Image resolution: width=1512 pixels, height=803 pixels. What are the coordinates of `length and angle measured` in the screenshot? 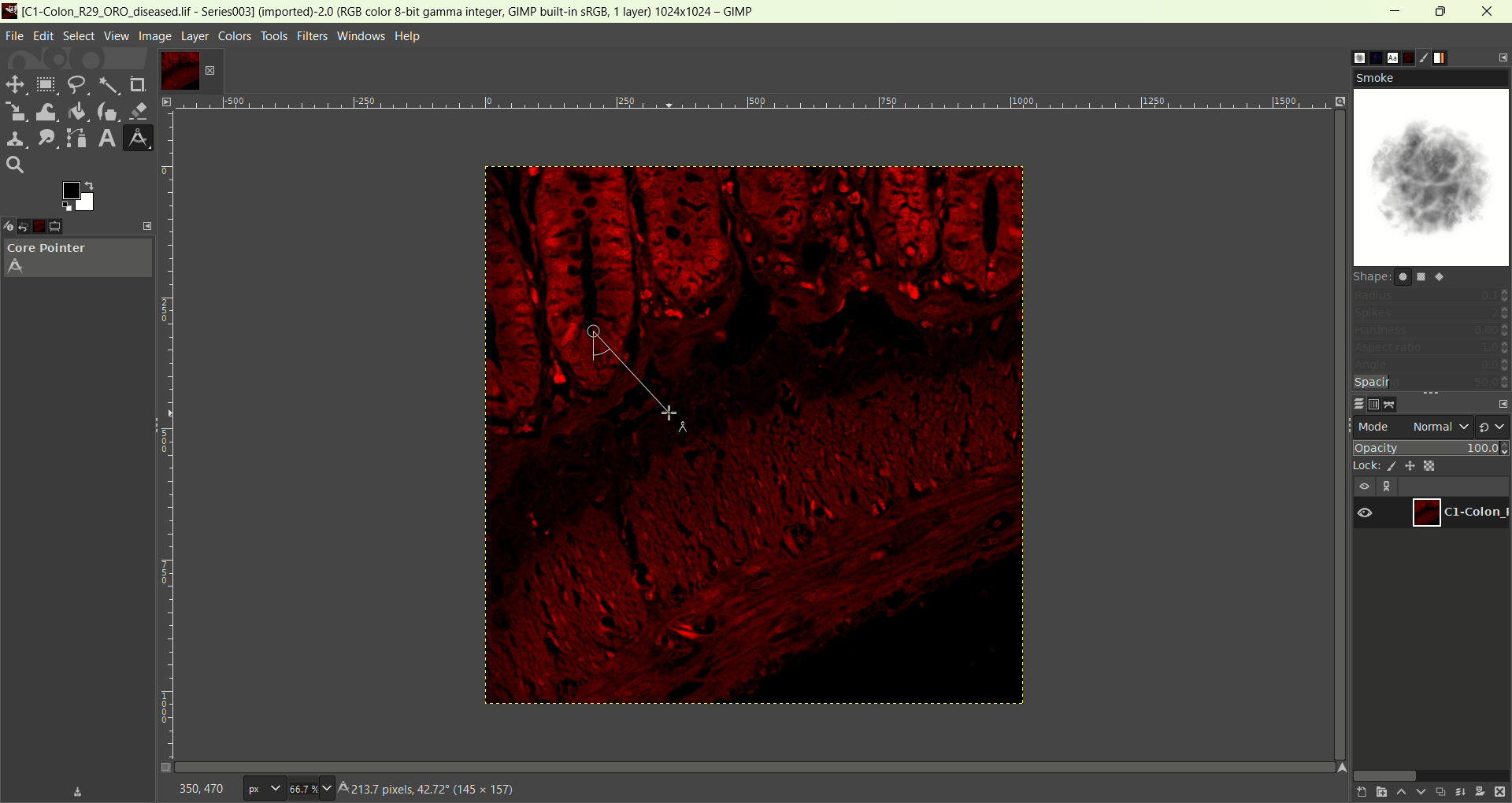 It's located at (632, 401).